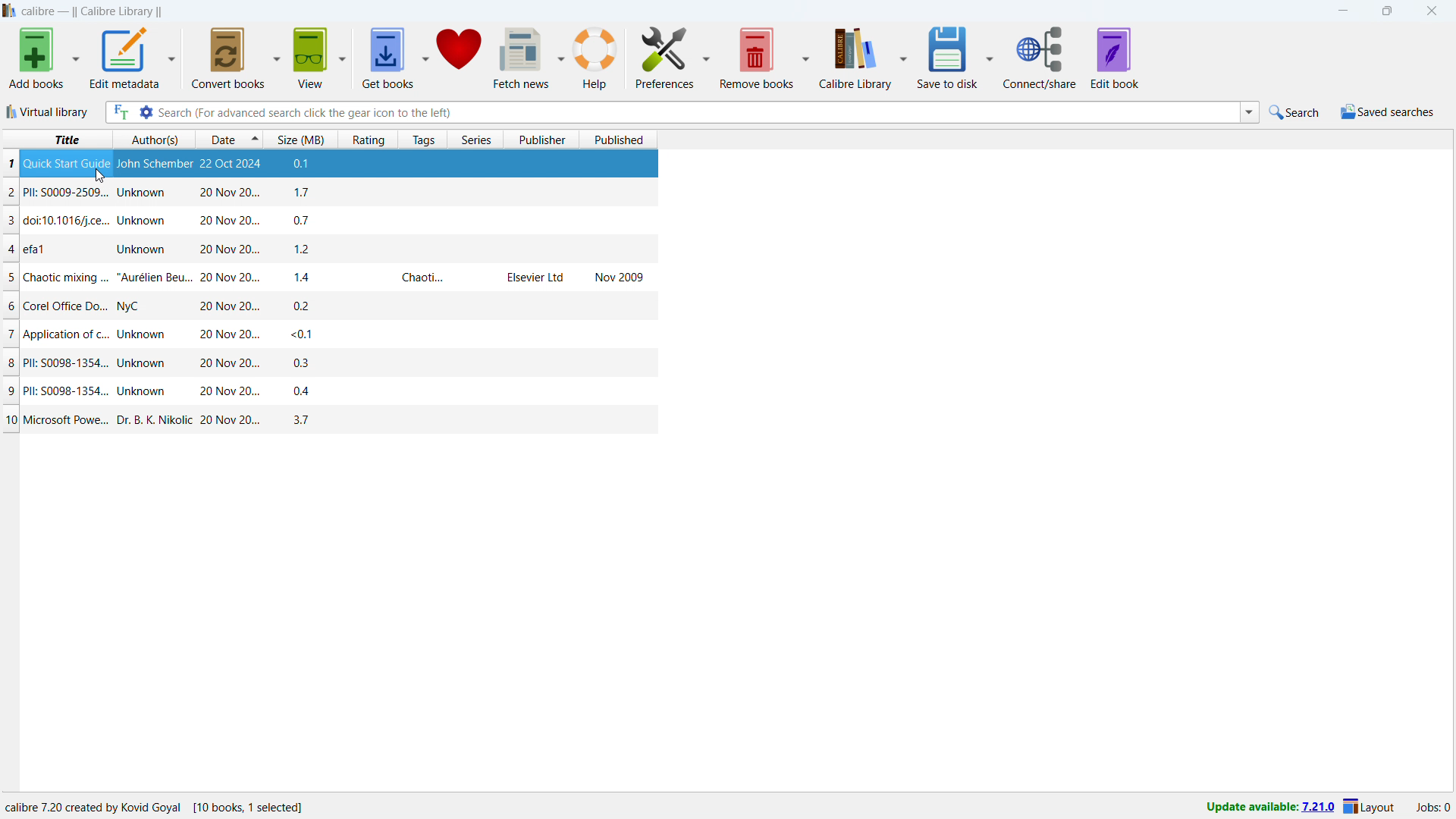 The width and height of the screenshot is (1456, 819). What do you see at coordinates (1294, 111) in the screenshot?
I see `do a quick search` at bounding box center [1294, 111].